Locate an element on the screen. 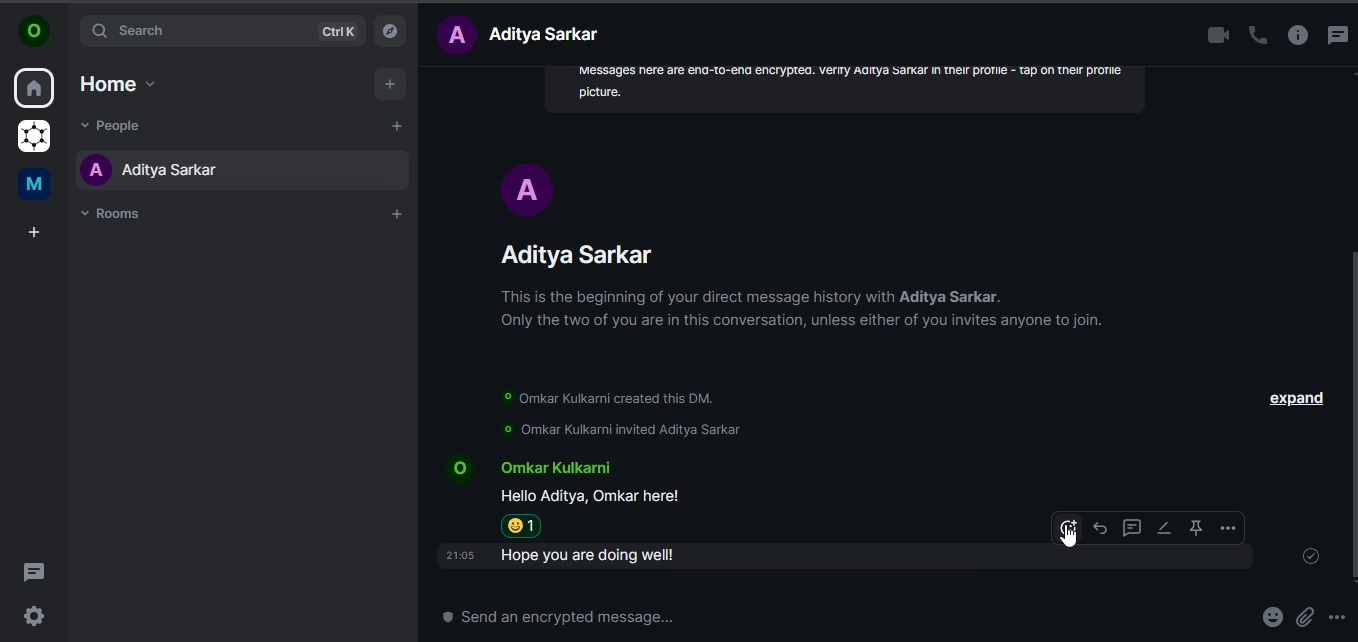  Aditya Sarkar is located at coordinates (581, 255).